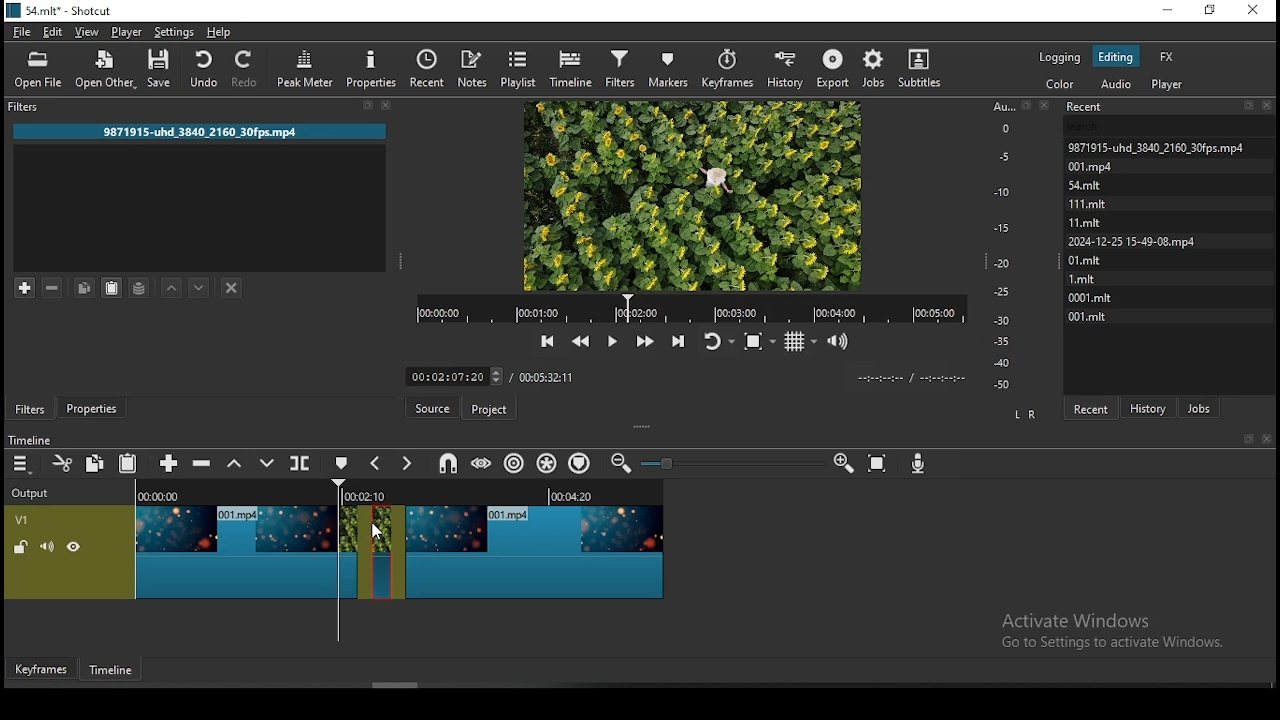 This screenshot has height=720, width=1280. I want to click on video track, so click(250, 545).